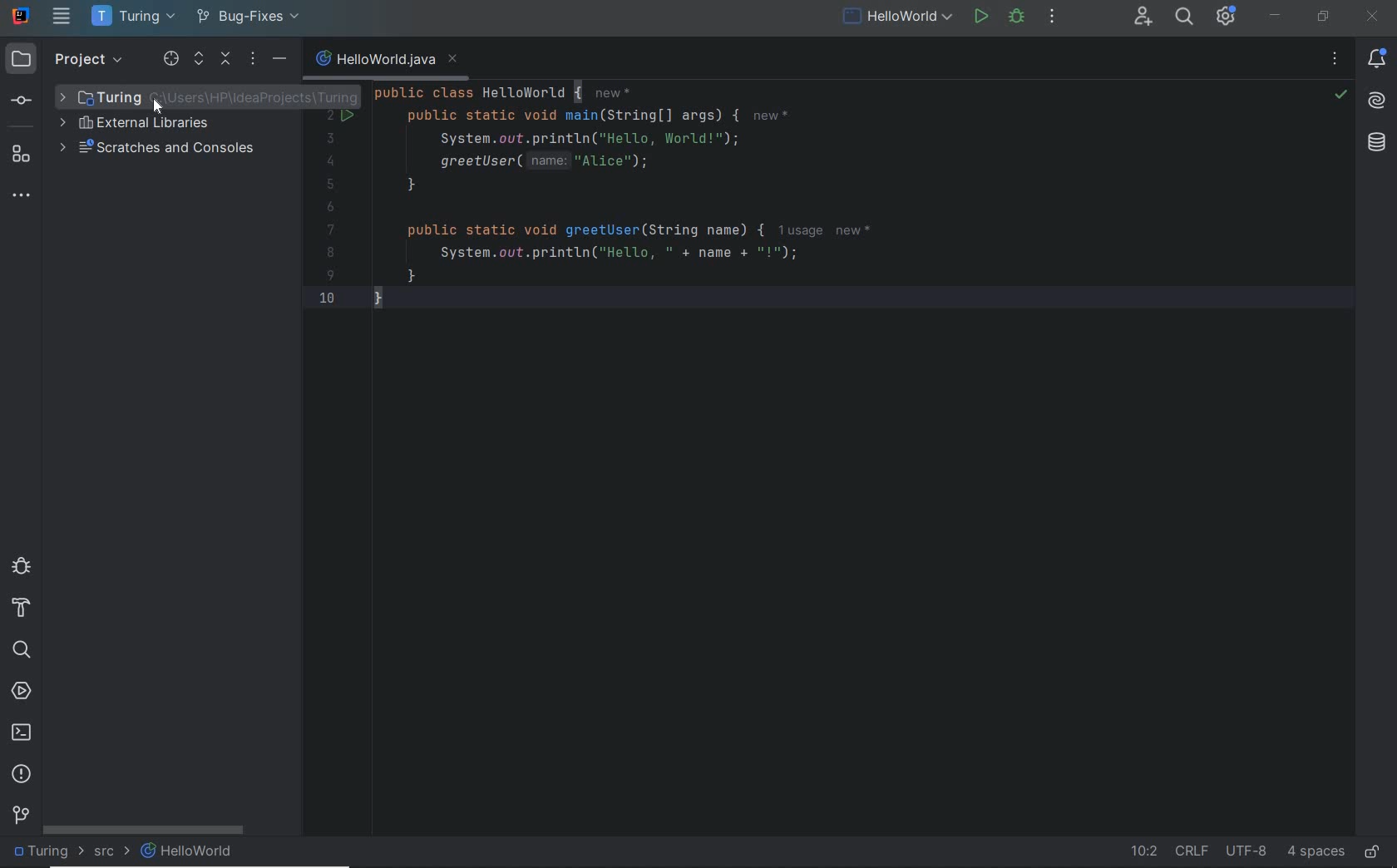 The width and height of the screenshot is (1397, 868). I want to click on search everywhere, so click(1184, 17).